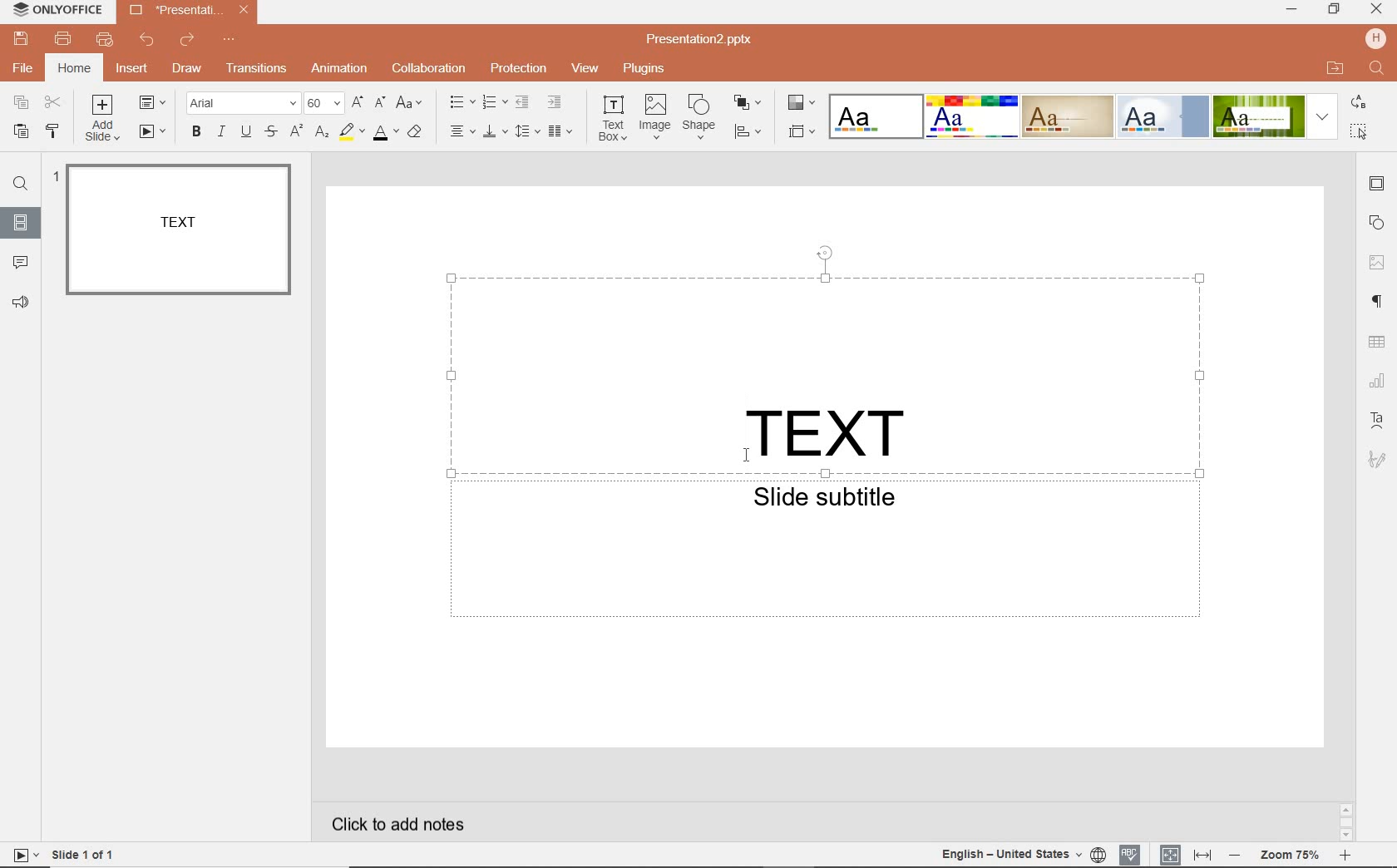 The image size is (1397, 868). Describe the element at coordinates (245, 102) in the screenshot. I see `FONT` at that location.